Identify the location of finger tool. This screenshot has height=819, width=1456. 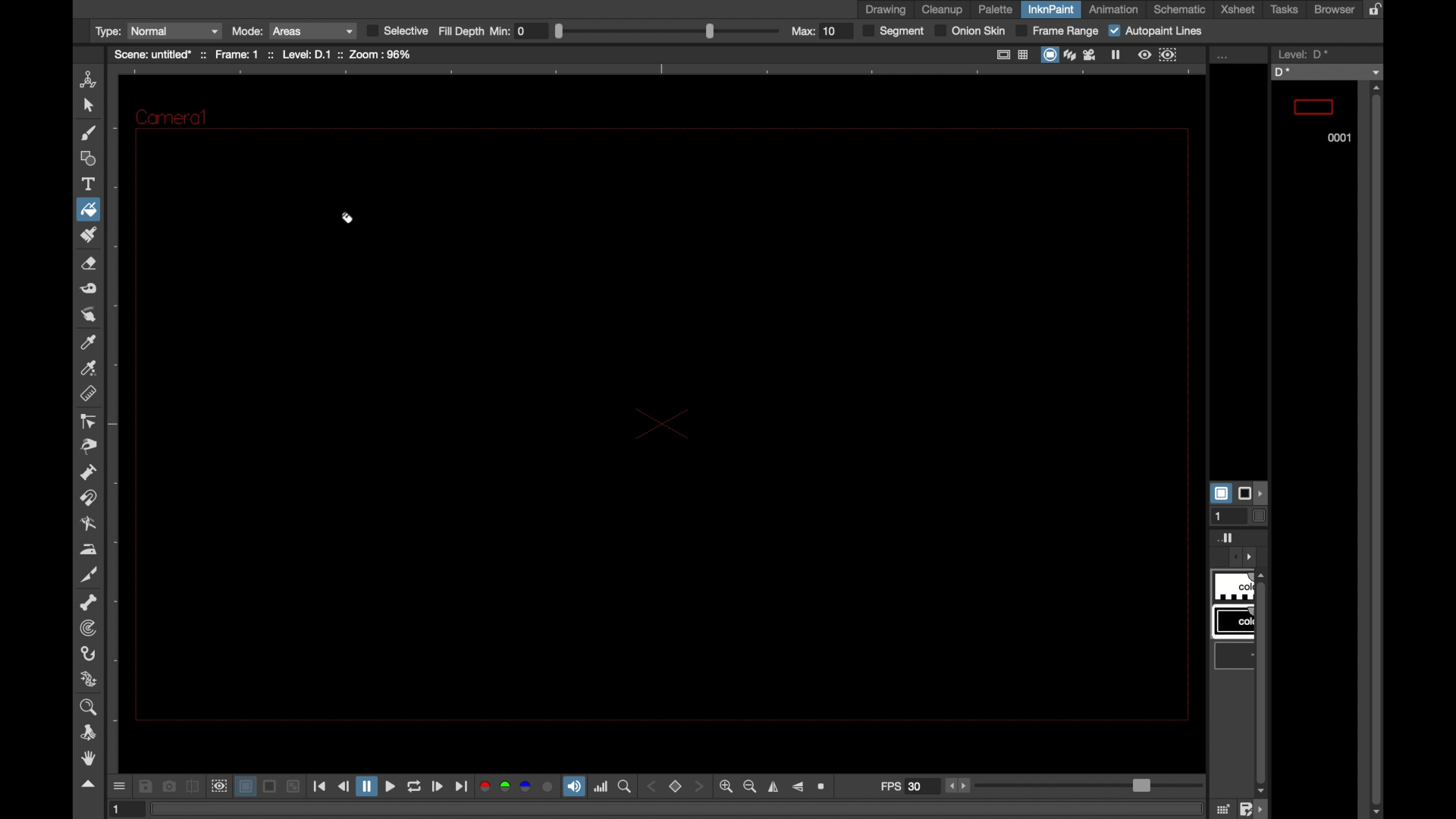
(87, 314).